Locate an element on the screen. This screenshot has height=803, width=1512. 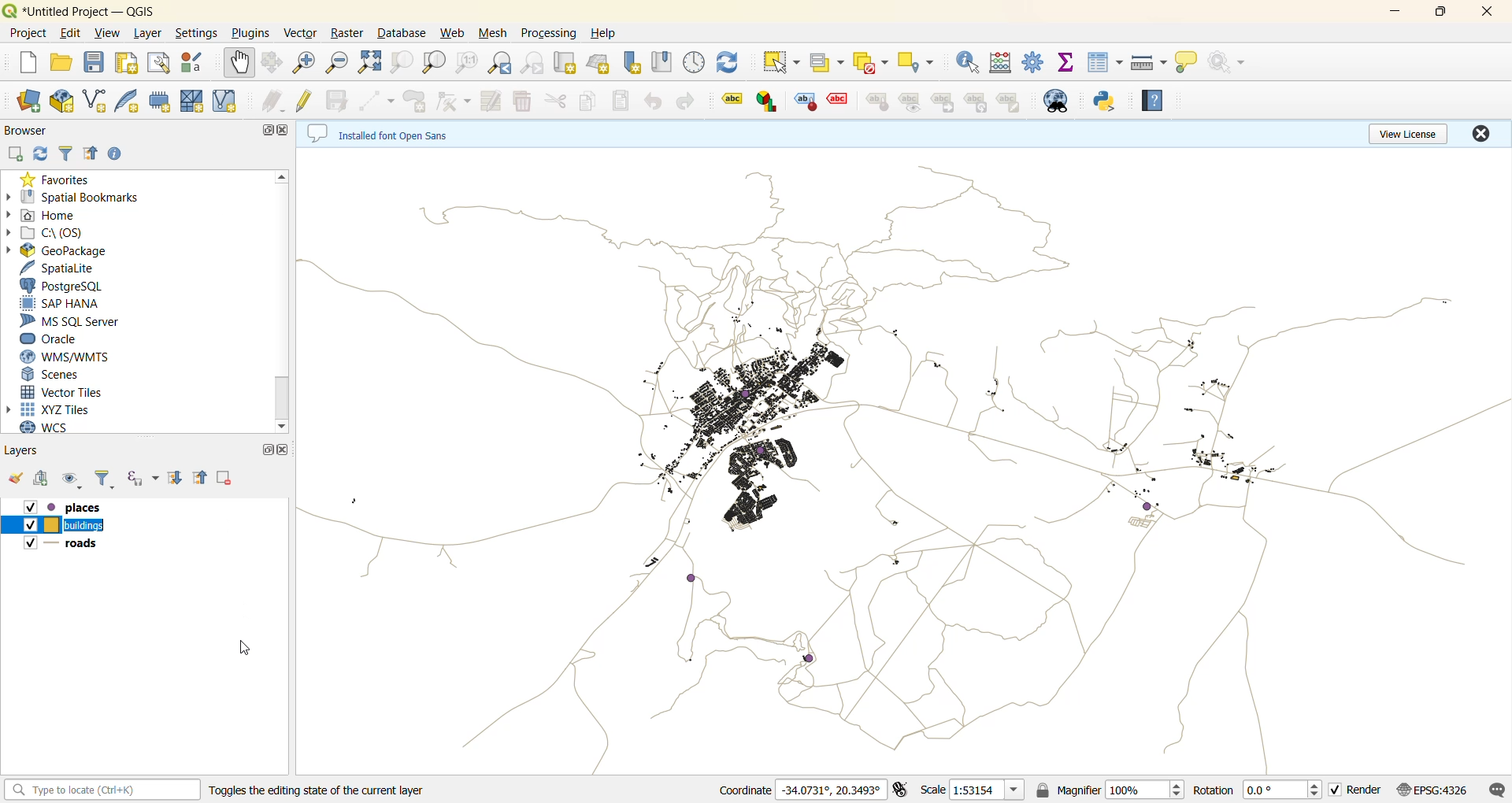
scale is located at coordinates (986, 791).